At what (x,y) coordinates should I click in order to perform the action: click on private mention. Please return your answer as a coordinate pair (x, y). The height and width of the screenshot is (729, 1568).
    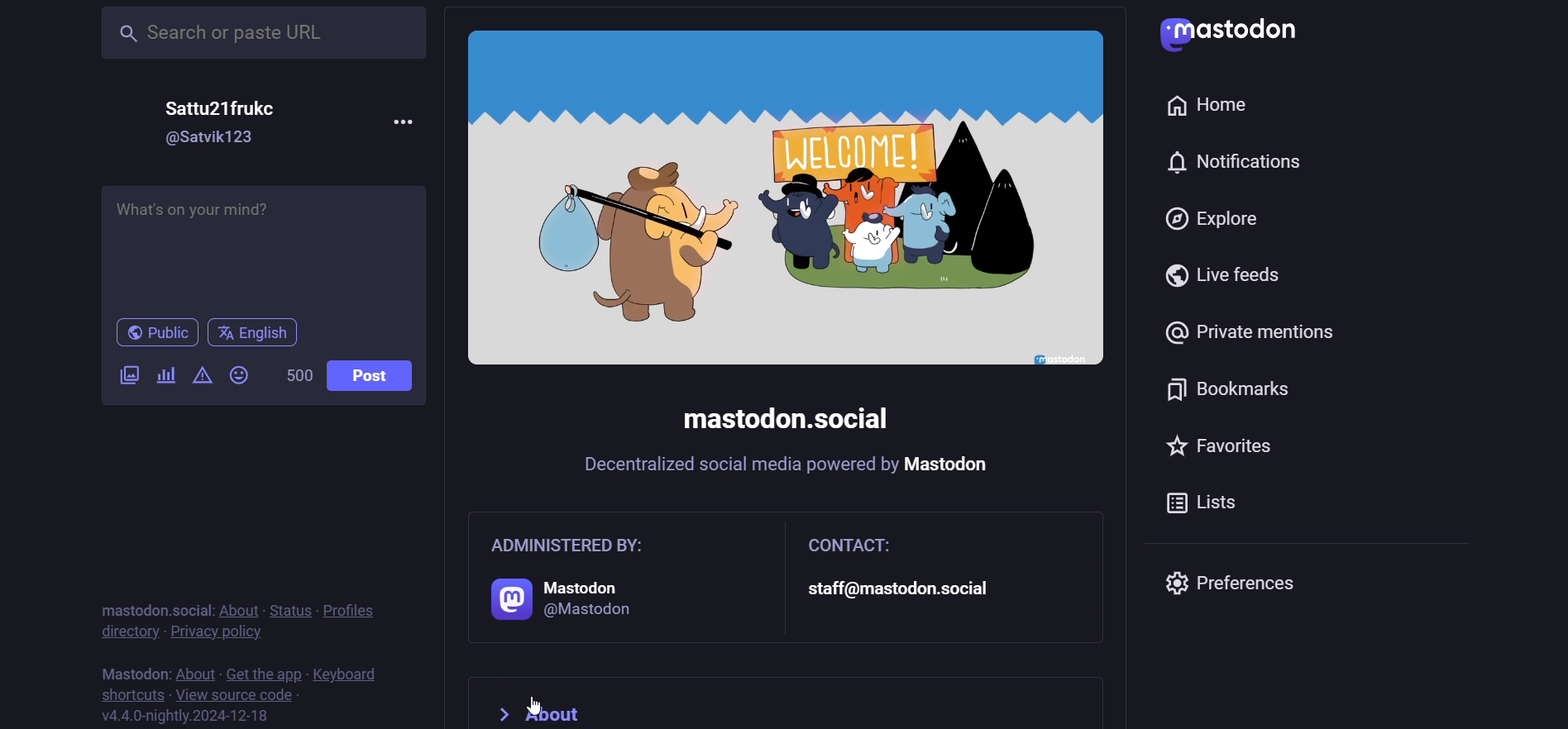
    Looking at the image, I should click on (1262, 327).